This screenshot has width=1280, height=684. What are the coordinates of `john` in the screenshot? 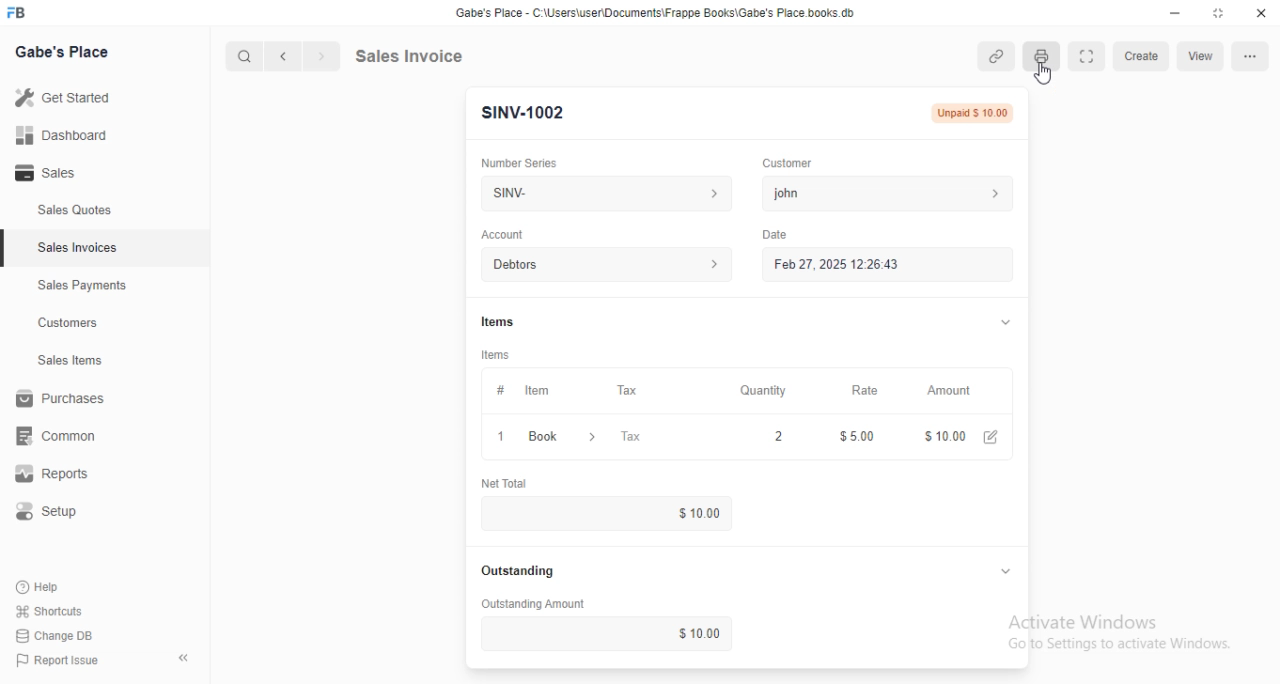 It's located at (847, 193).